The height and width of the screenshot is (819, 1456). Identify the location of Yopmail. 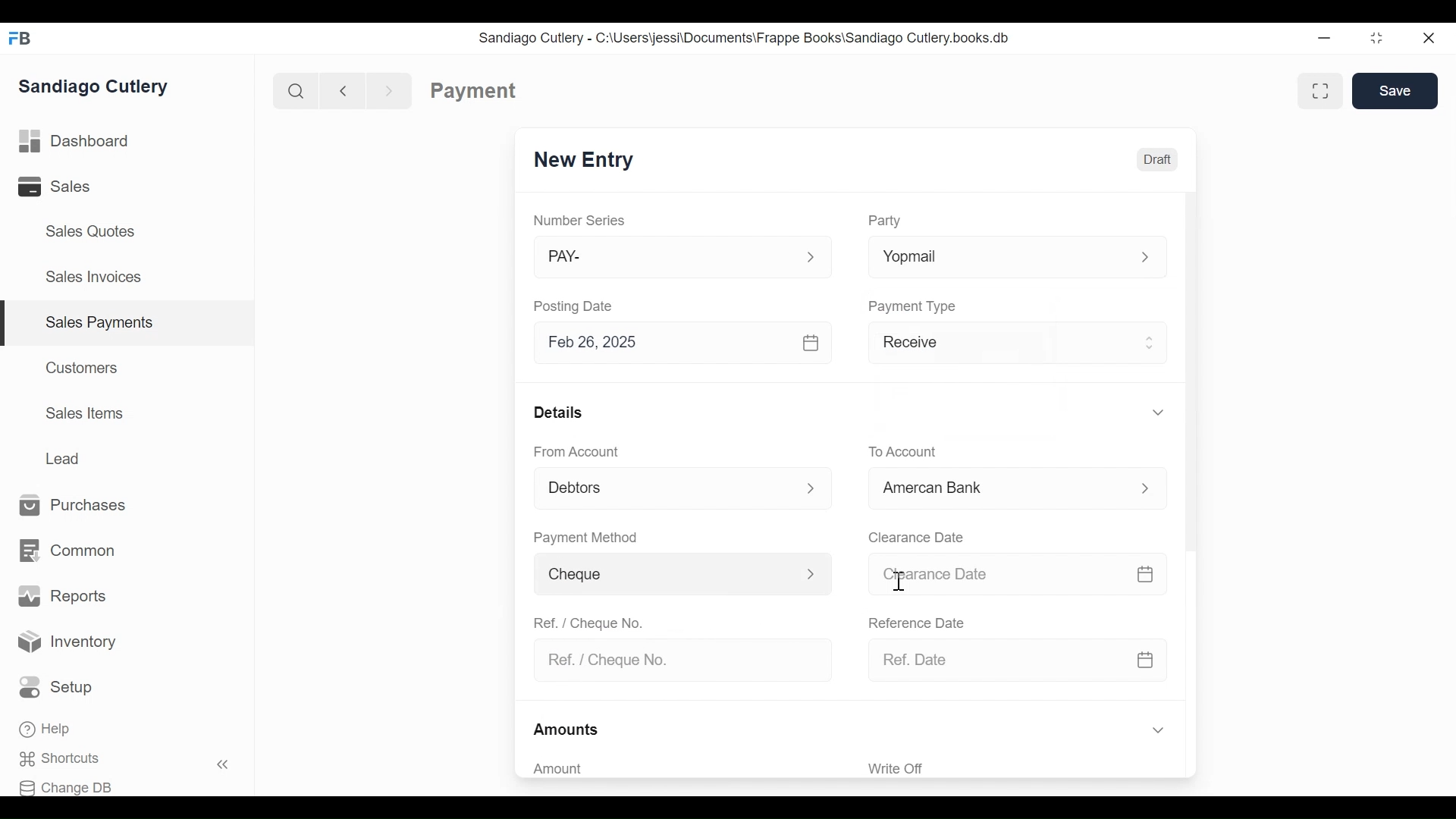
(993, 258).